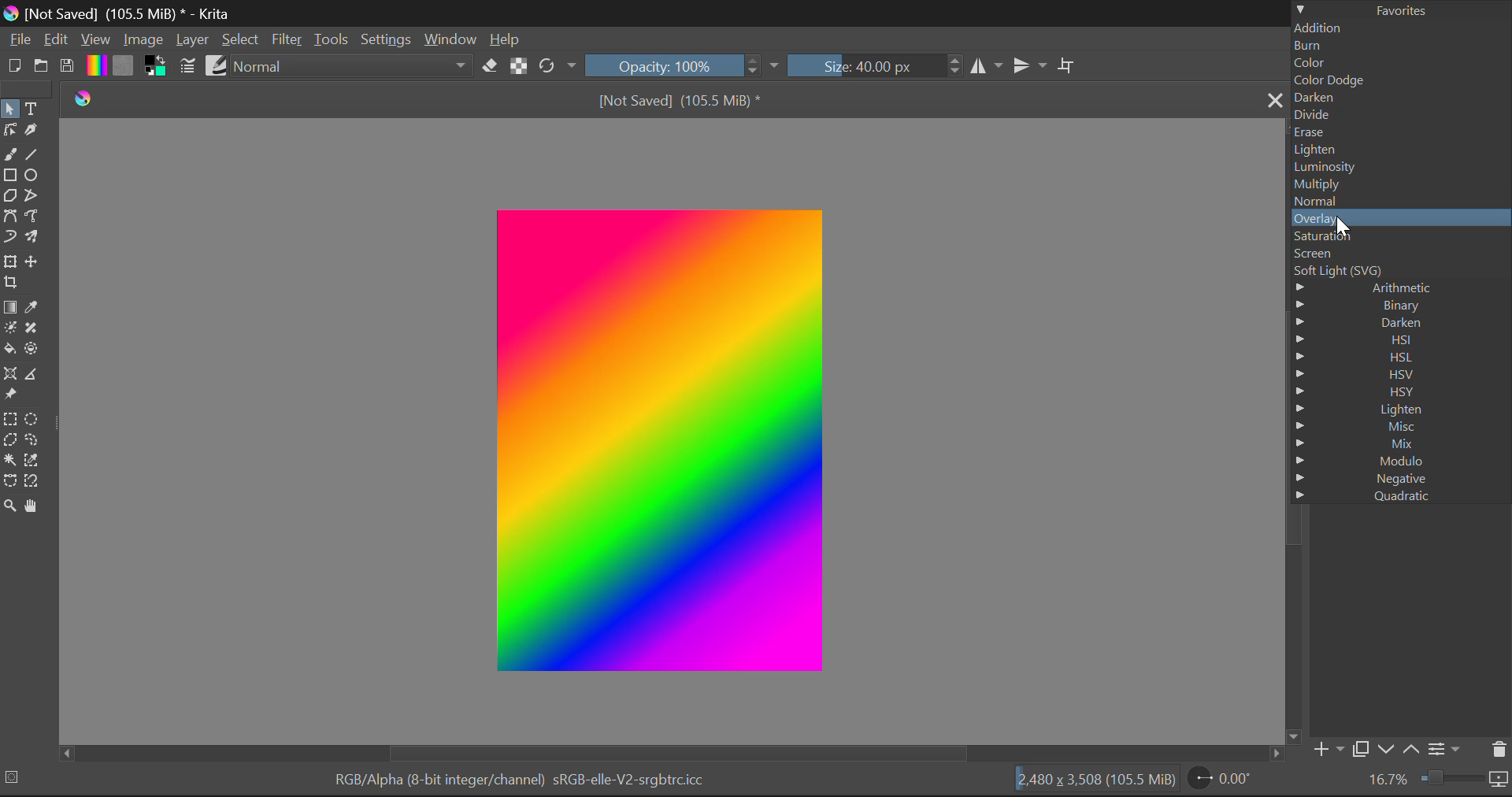 The width and height of the screenshot is (1512, 797). What do you see at coordinates (13, 283) in the screenshot?
I see `Crop` at bounding box center [13, 283].